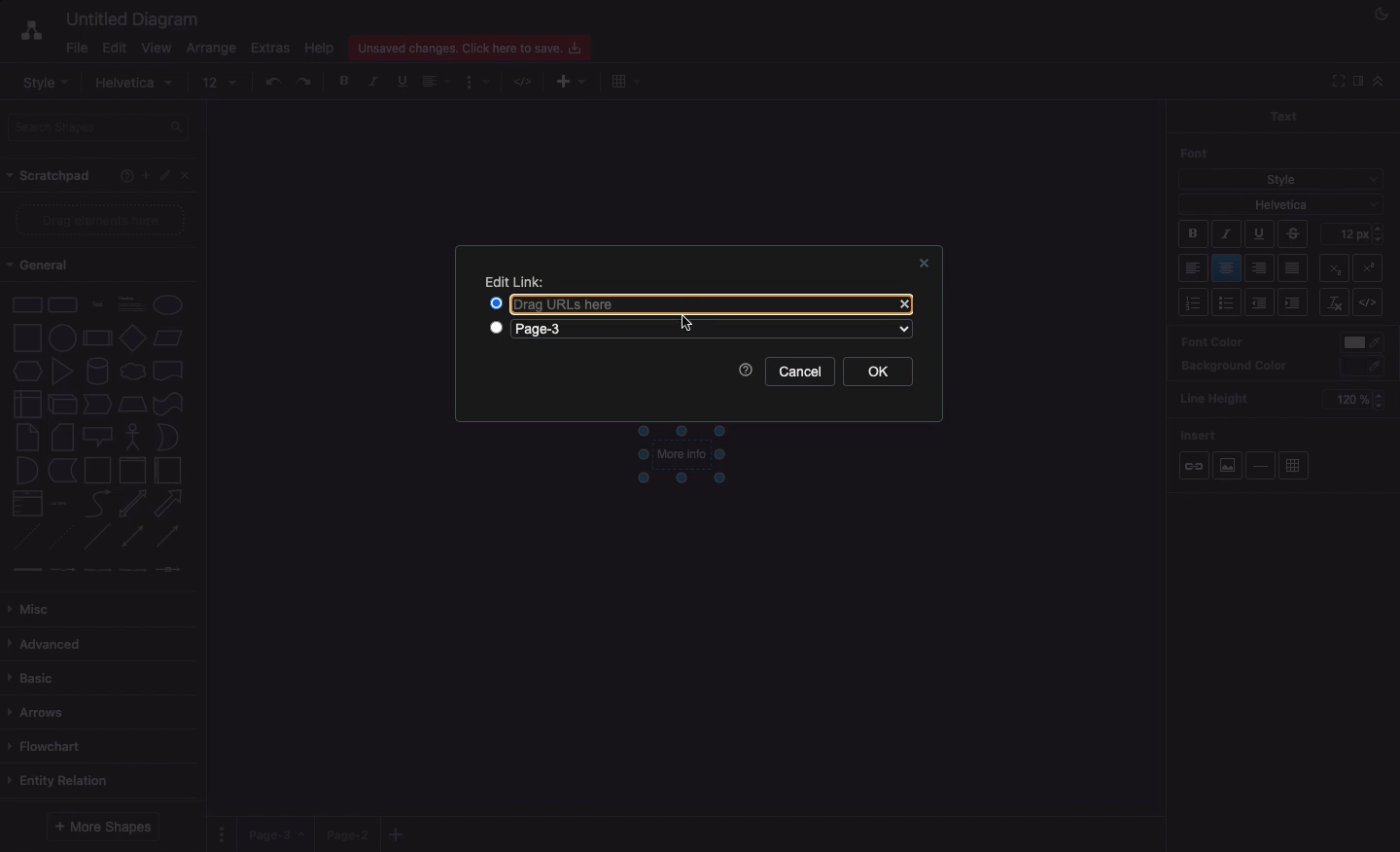 Image resolution: width=1400 pixels, height=852 pixels. What do you see at coordinates (53, 747) in the screenshot?
I see `Flowchart` at bounding box center [53, 747].